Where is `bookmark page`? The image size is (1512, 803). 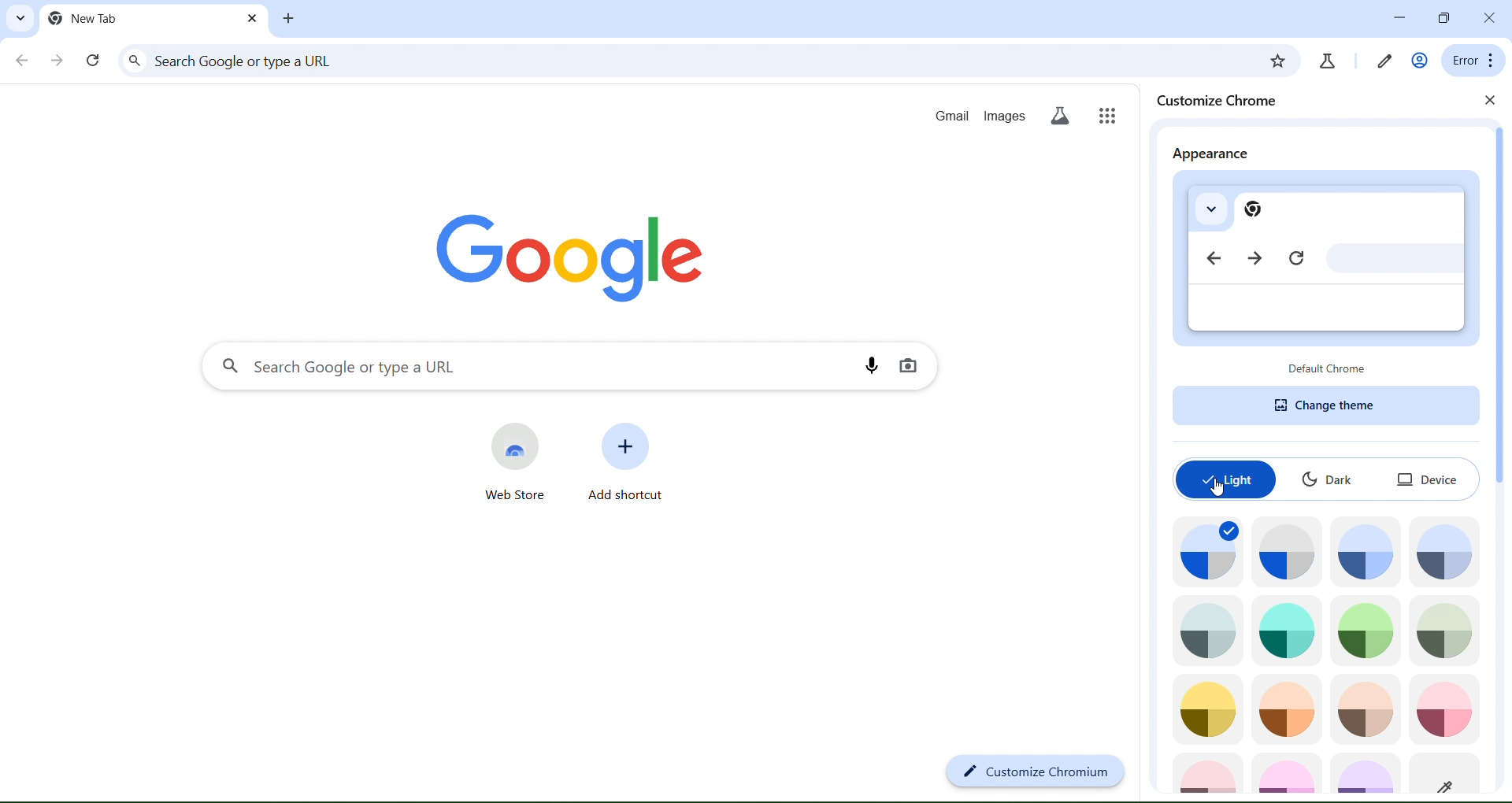
bookmark page is located at coordinates (1327, 61).